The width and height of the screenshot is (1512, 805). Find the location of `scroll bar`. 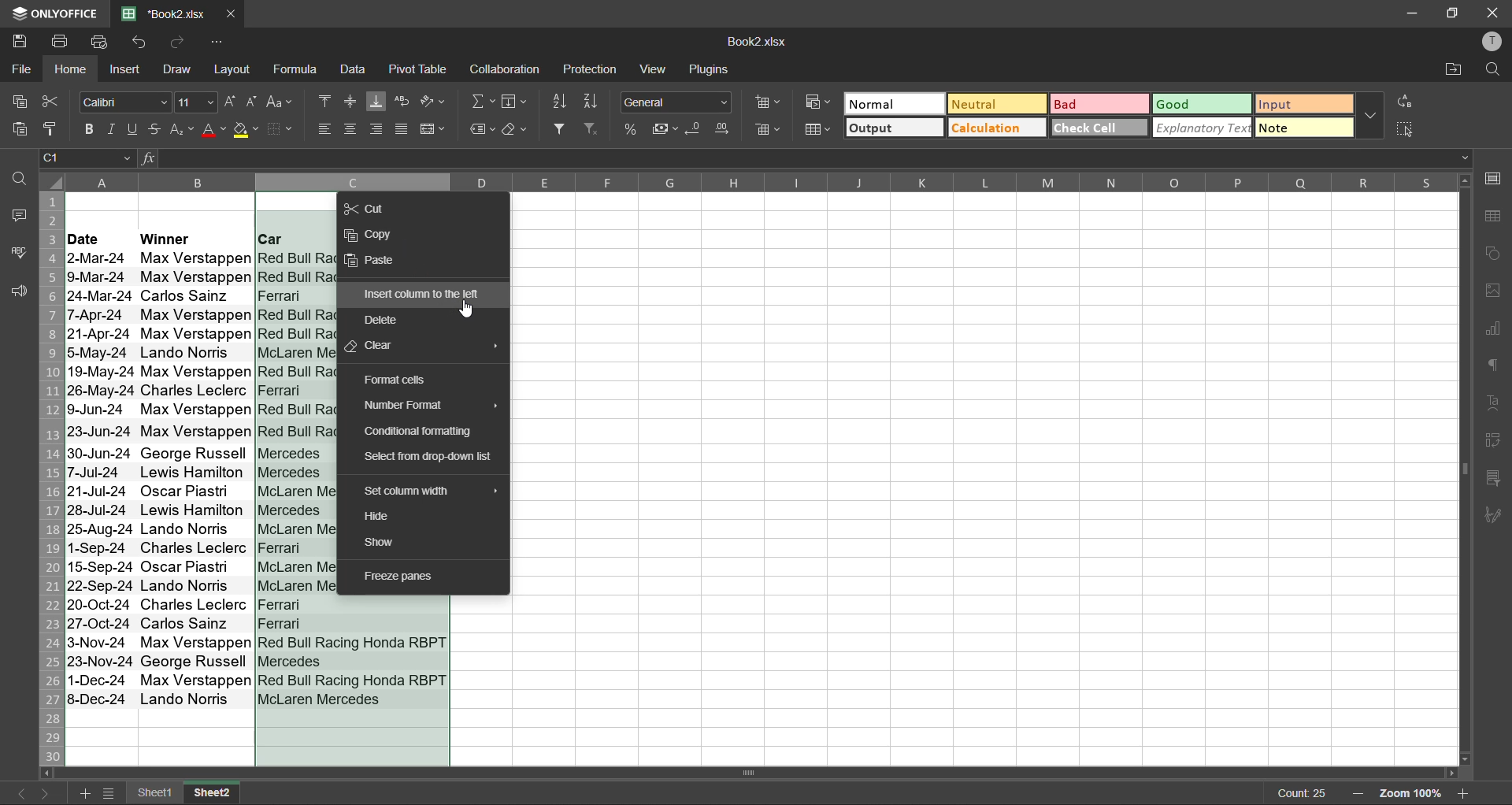

scroll bar is located at coordinates (708, 774).